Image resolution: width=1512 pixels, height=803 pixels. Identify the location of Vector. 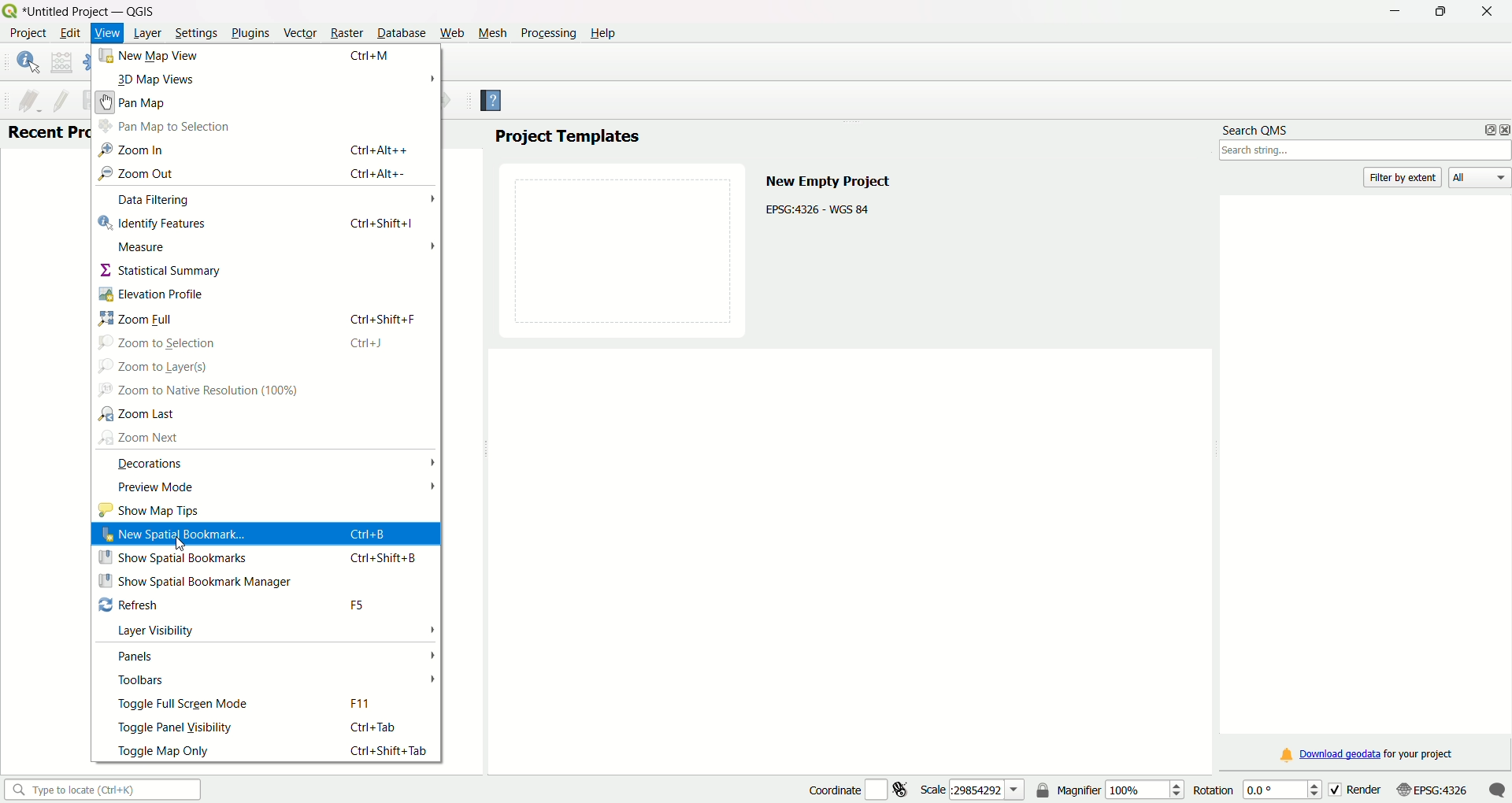
(298, 32).